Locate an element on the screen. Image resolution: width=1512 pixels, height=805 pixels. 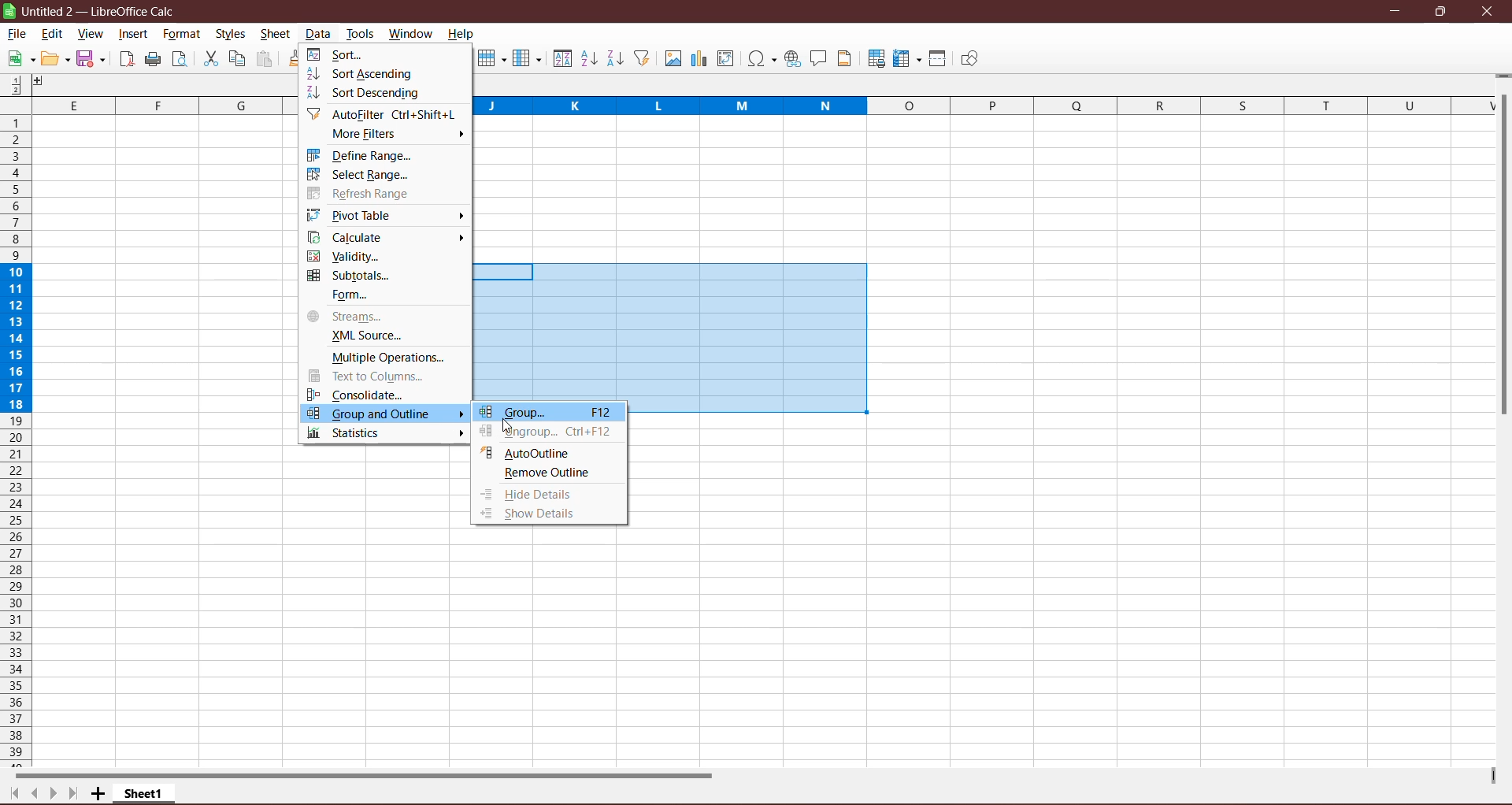
Group is located at coordinates (509, 425).